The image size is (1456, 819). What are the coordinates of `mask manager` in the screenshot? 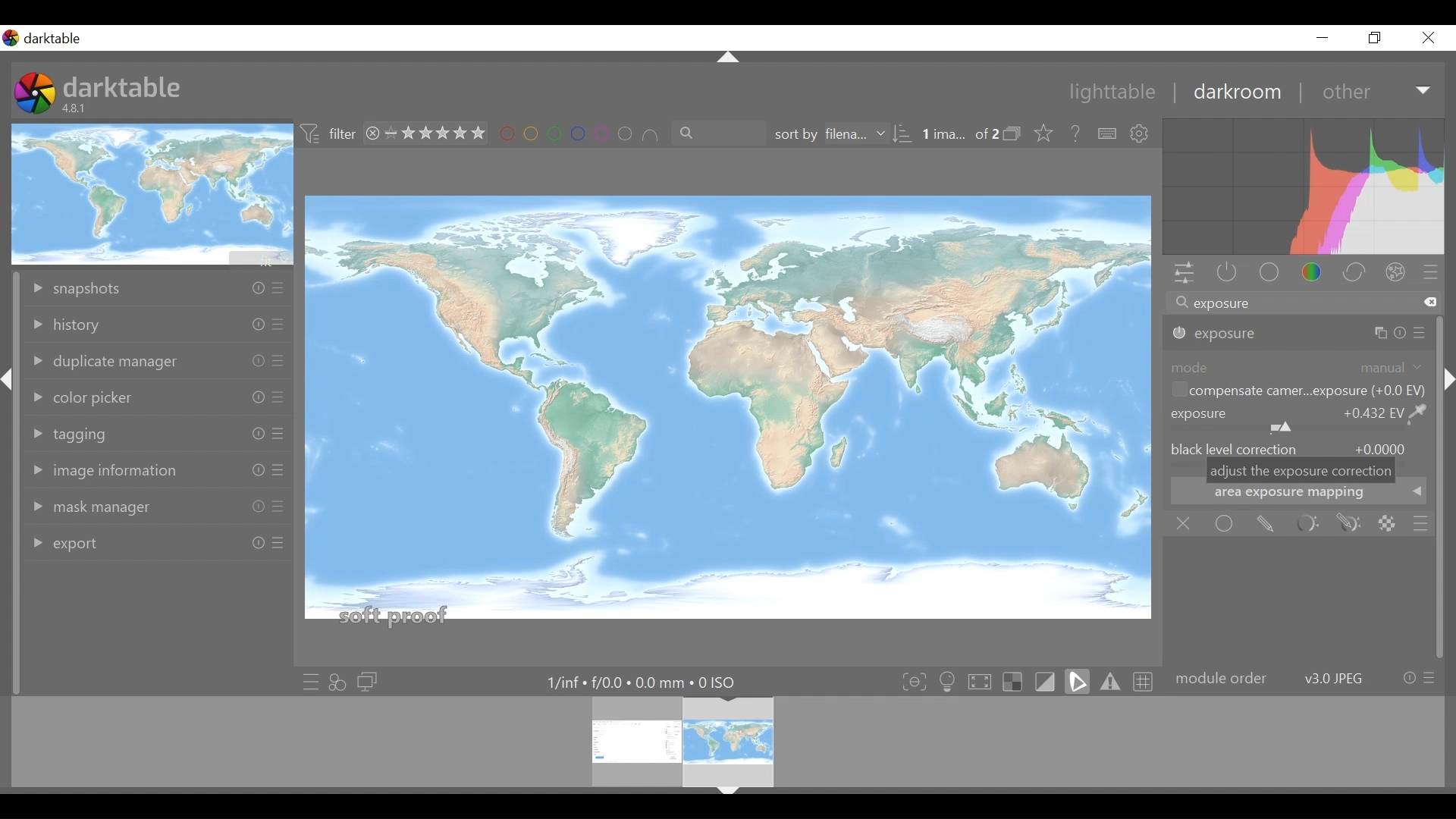 It's located at (98, 507).